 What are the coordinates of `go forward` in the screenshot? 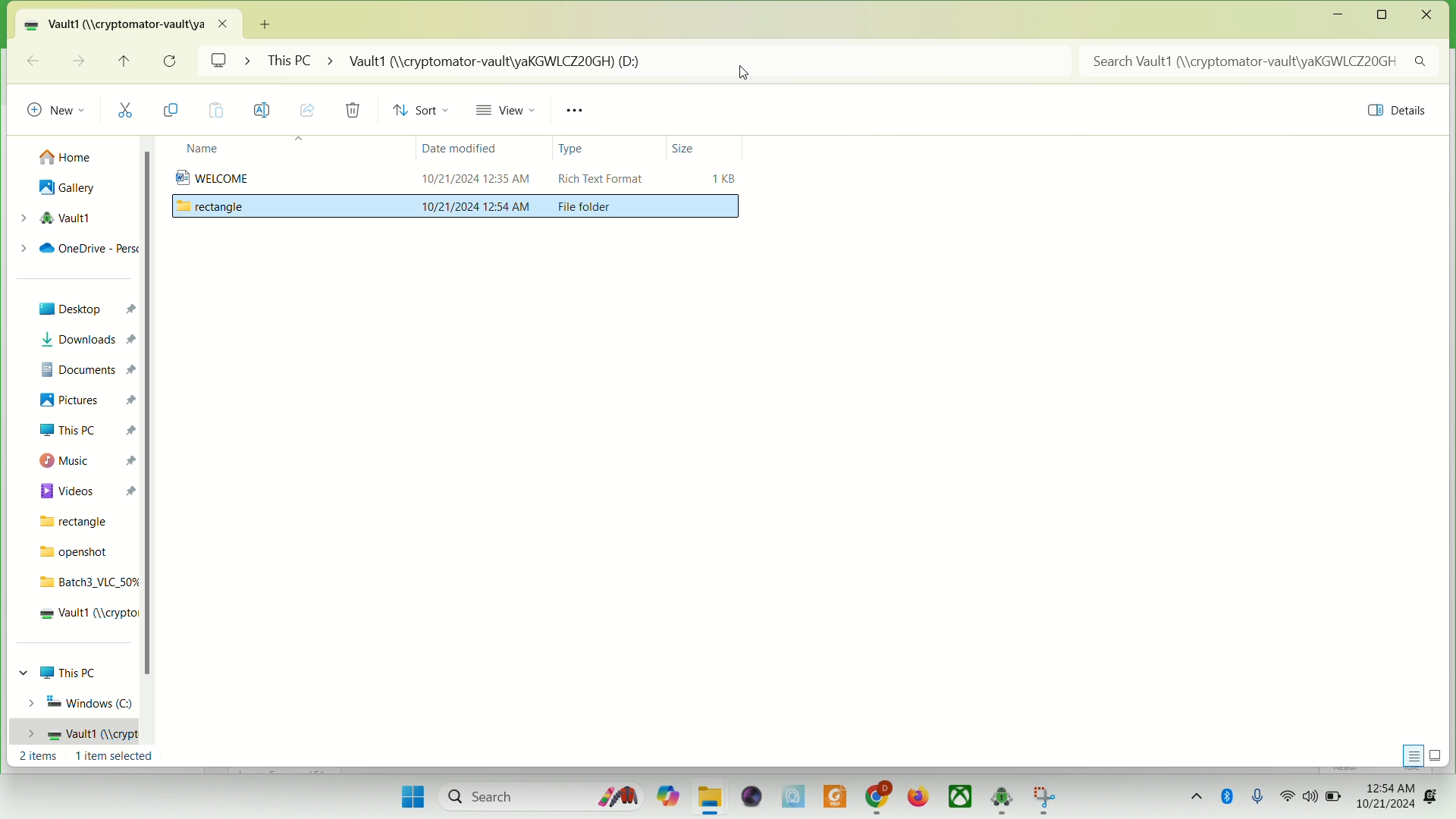 It's located at (77, 60).